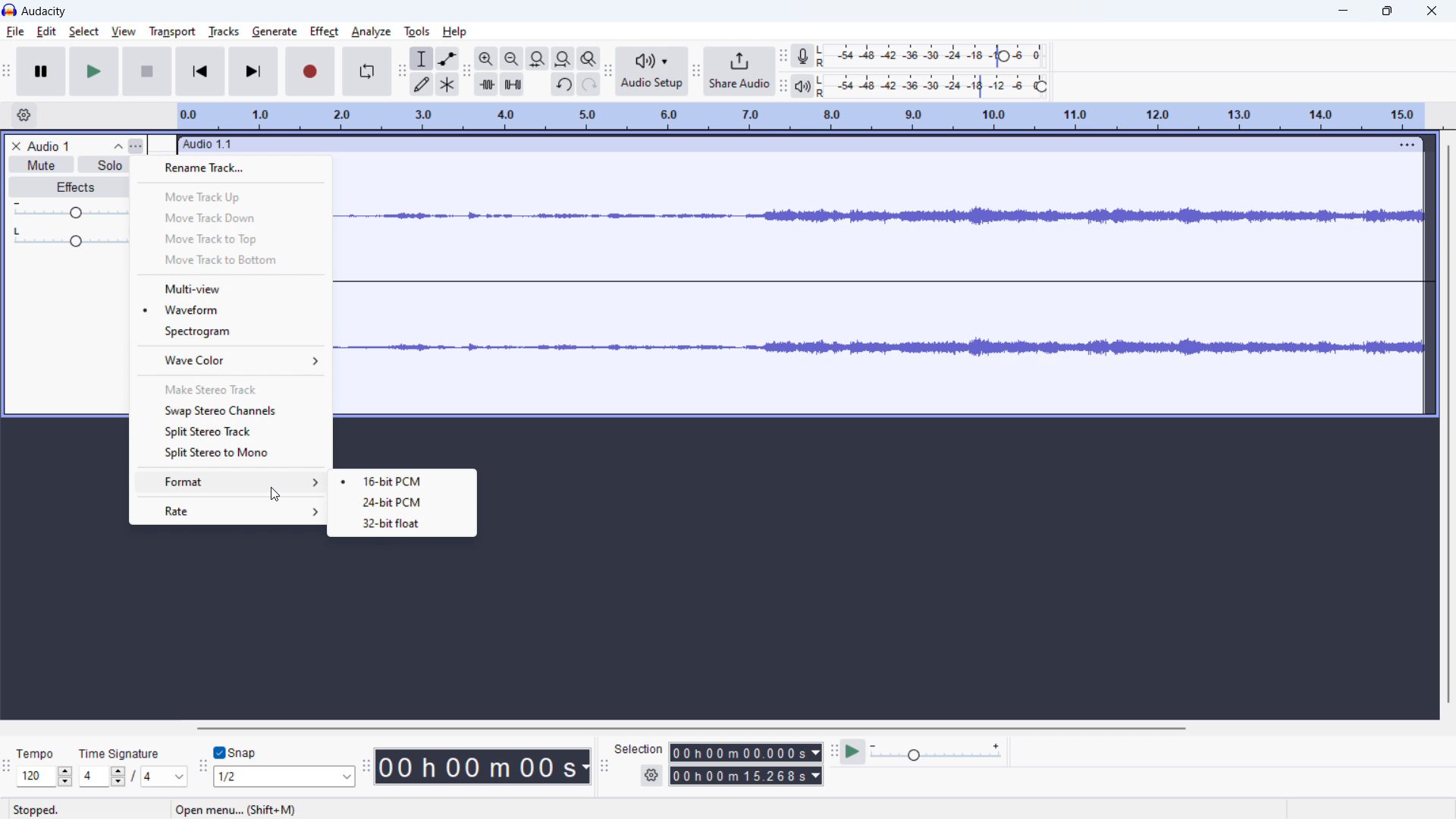 The width and height of the screenshot is (1456, 819). I want to click on selection tool, so click(422, 58).